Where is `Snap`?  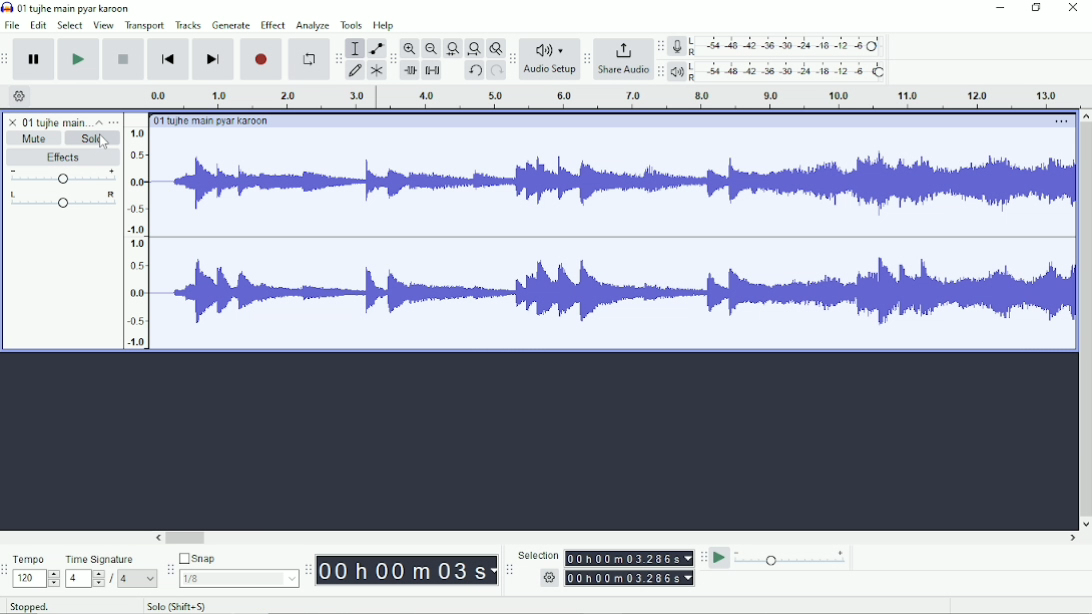 Snap is located at coordinates (239, 559).